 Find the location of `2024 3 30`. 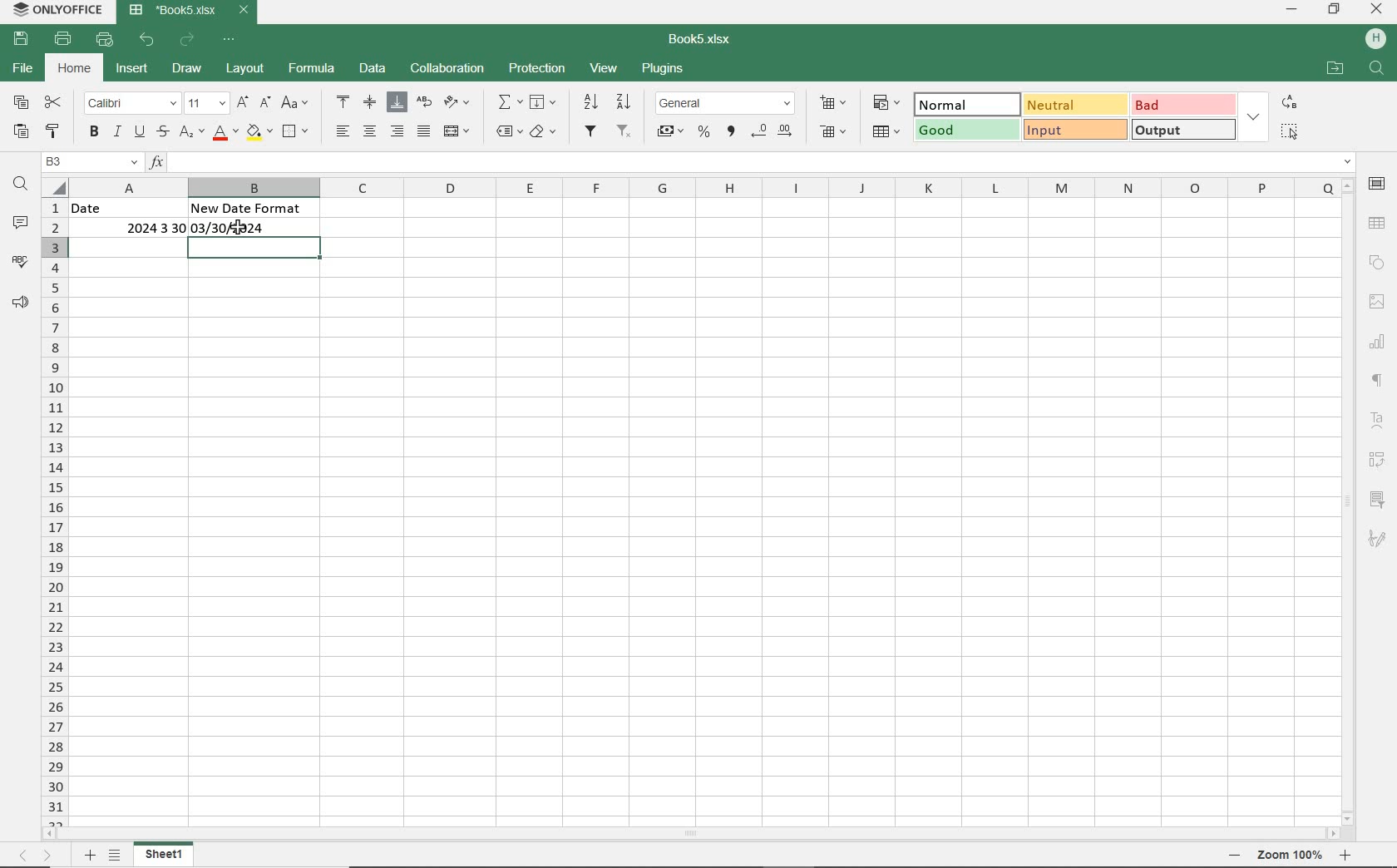

2024 3 30 is located at coordinates (142, 228).